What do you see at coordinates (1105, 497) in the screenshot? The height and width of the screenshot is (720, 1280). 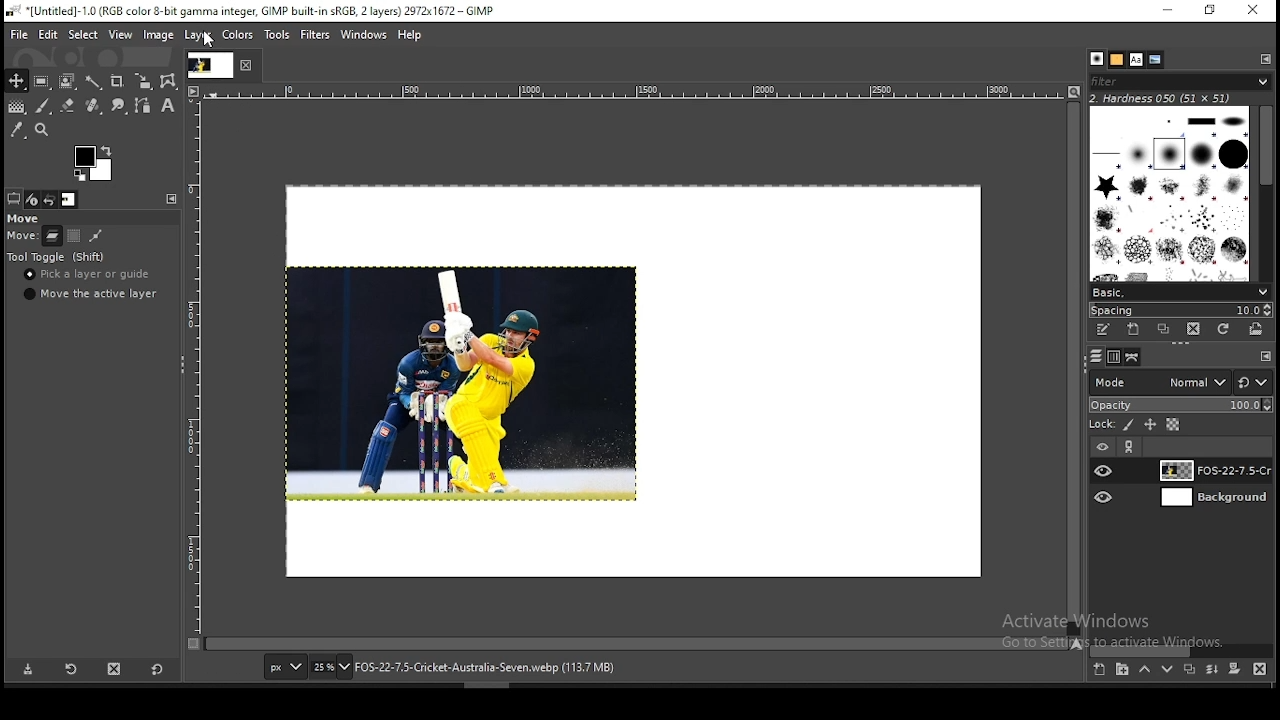 I see `layer visibility on/off` at bounding box center [1105, 497].